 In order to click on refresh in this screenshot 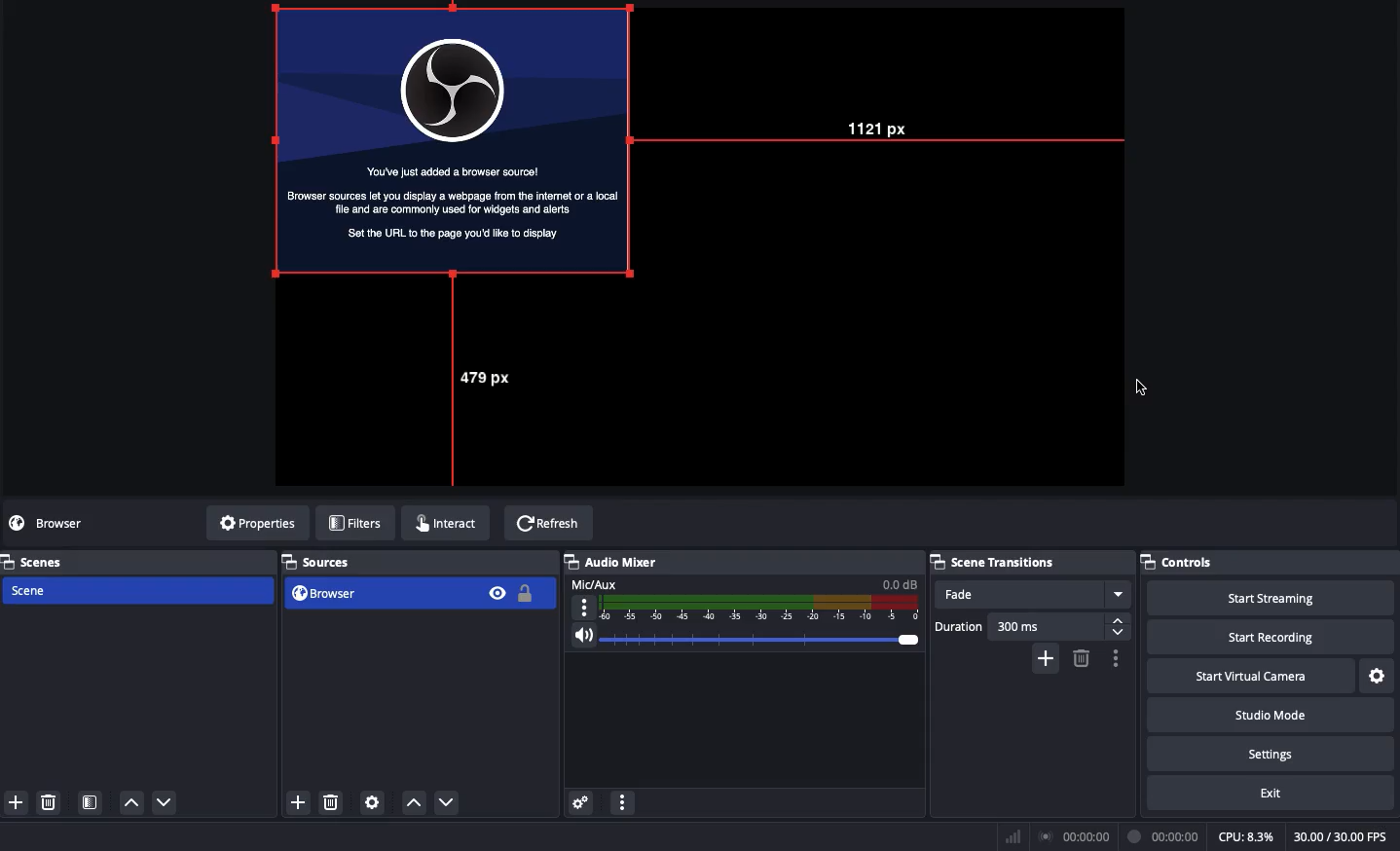, I will do `click(543, 517)`.